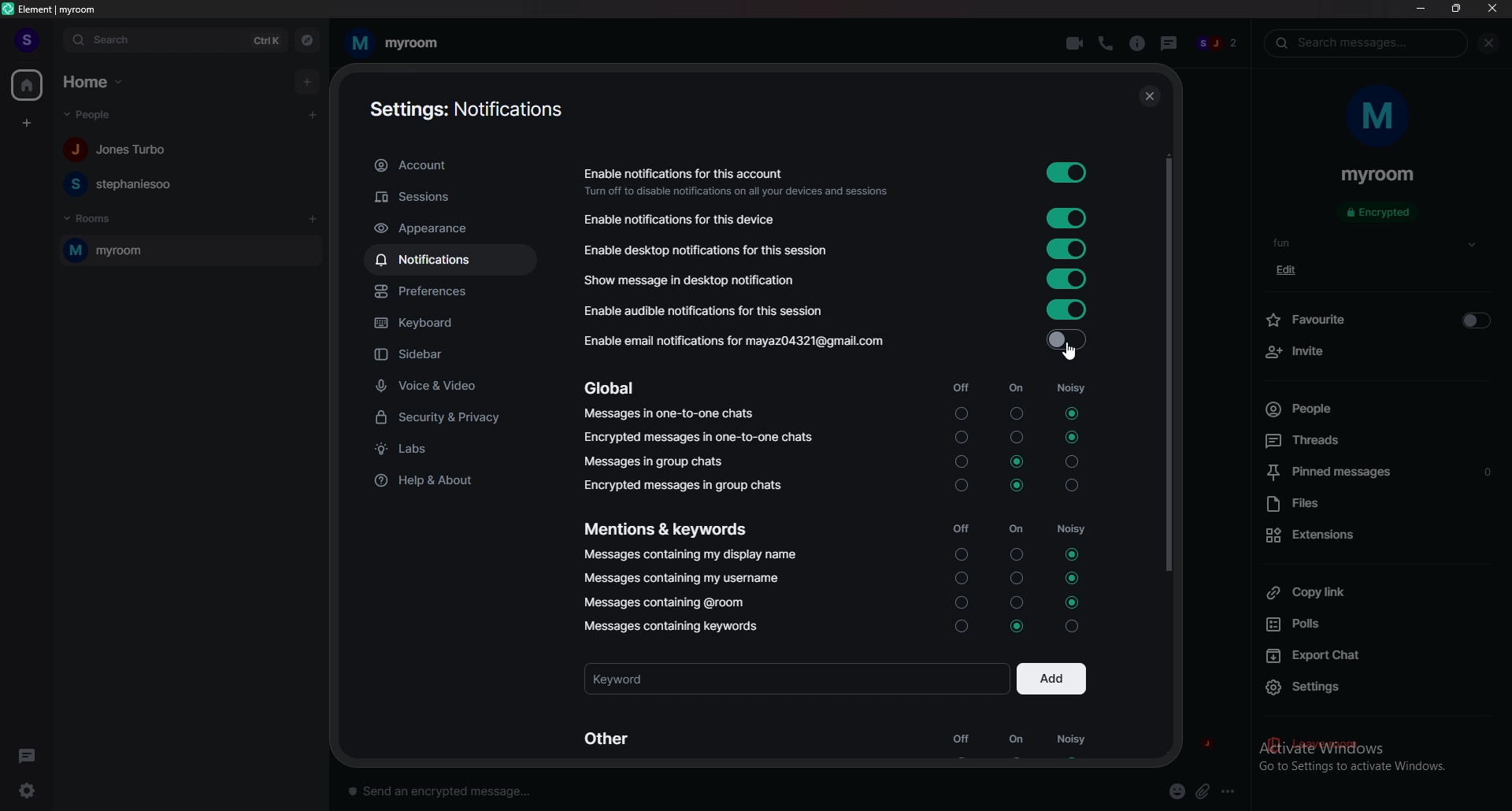 Image resolution: width=1512 pixels, height=811 pixels. I want to click on settings, so click(33, 790).